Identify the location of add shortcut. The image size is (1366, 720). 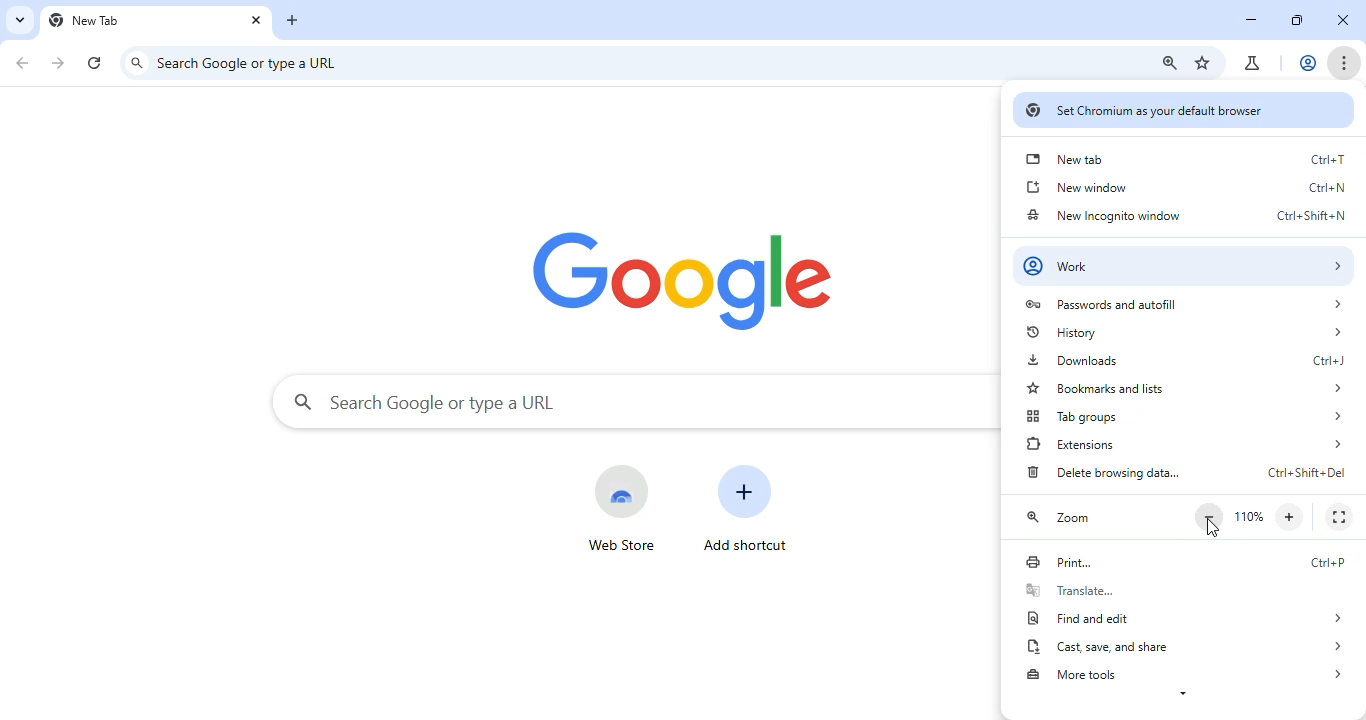
(749, 509).